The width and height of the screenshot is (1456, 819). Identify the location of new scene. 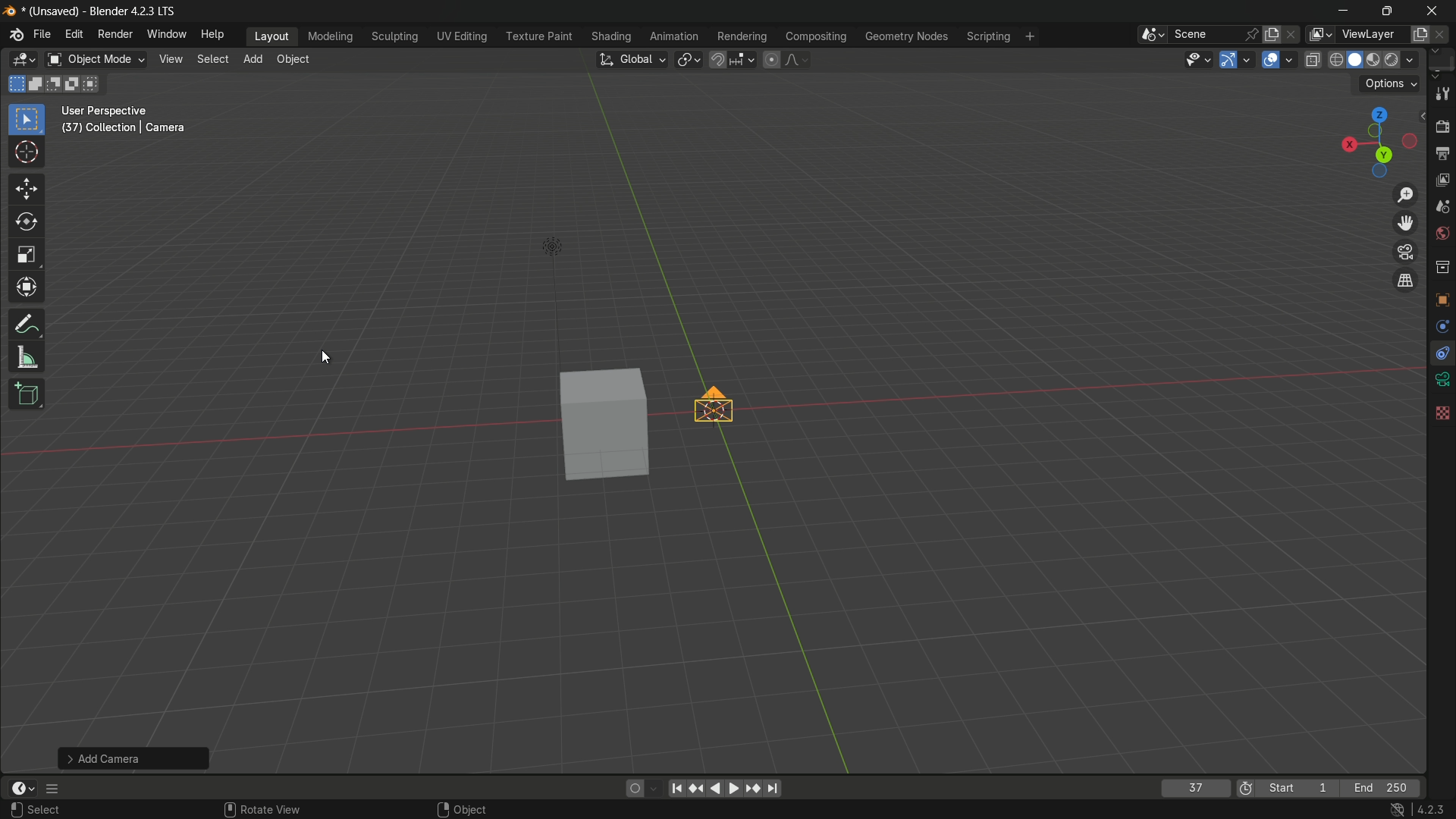
(1274, 36).